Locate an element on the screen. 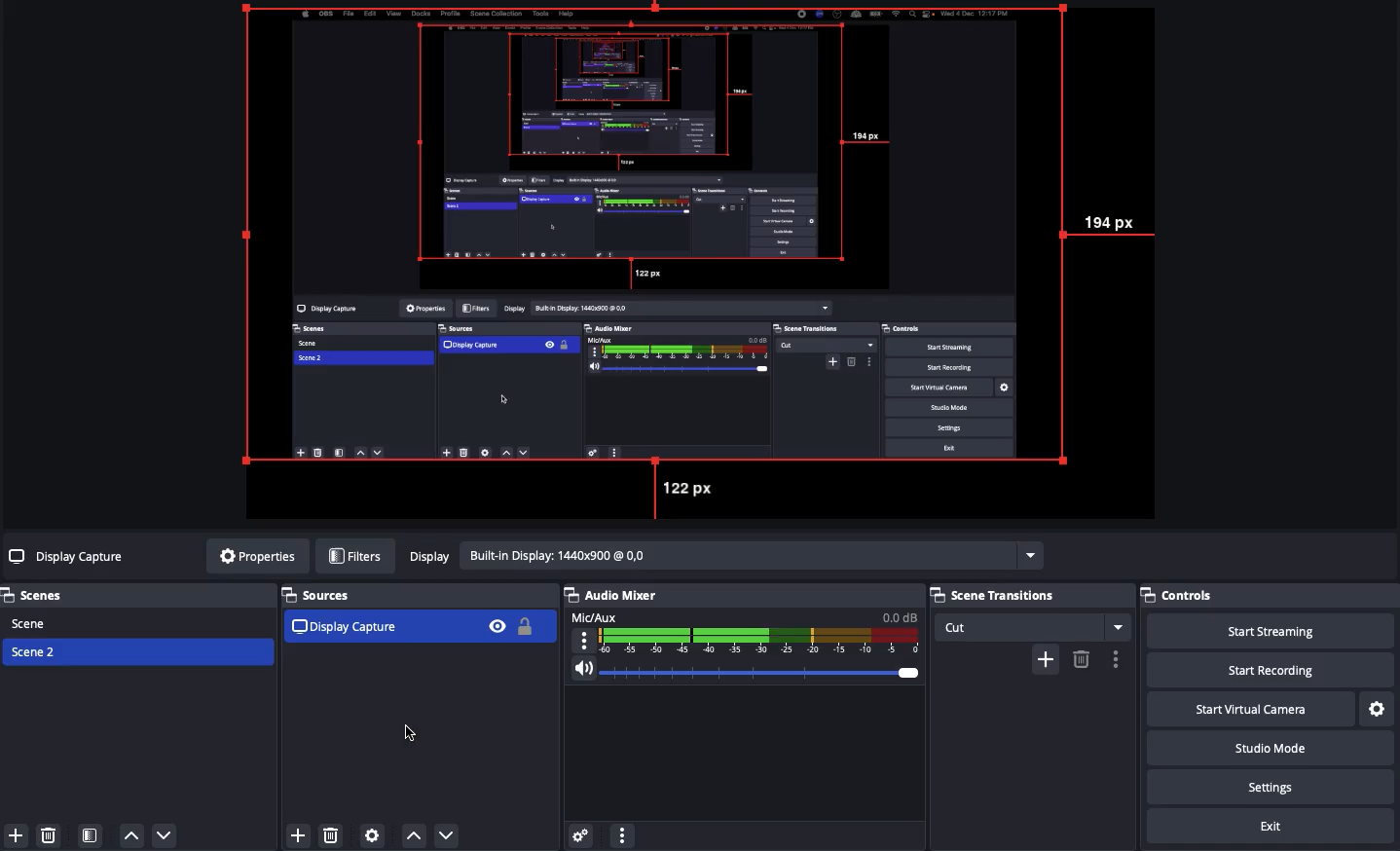 The image size is (1400, 851). Settings is located at coordinates (1376, 706).